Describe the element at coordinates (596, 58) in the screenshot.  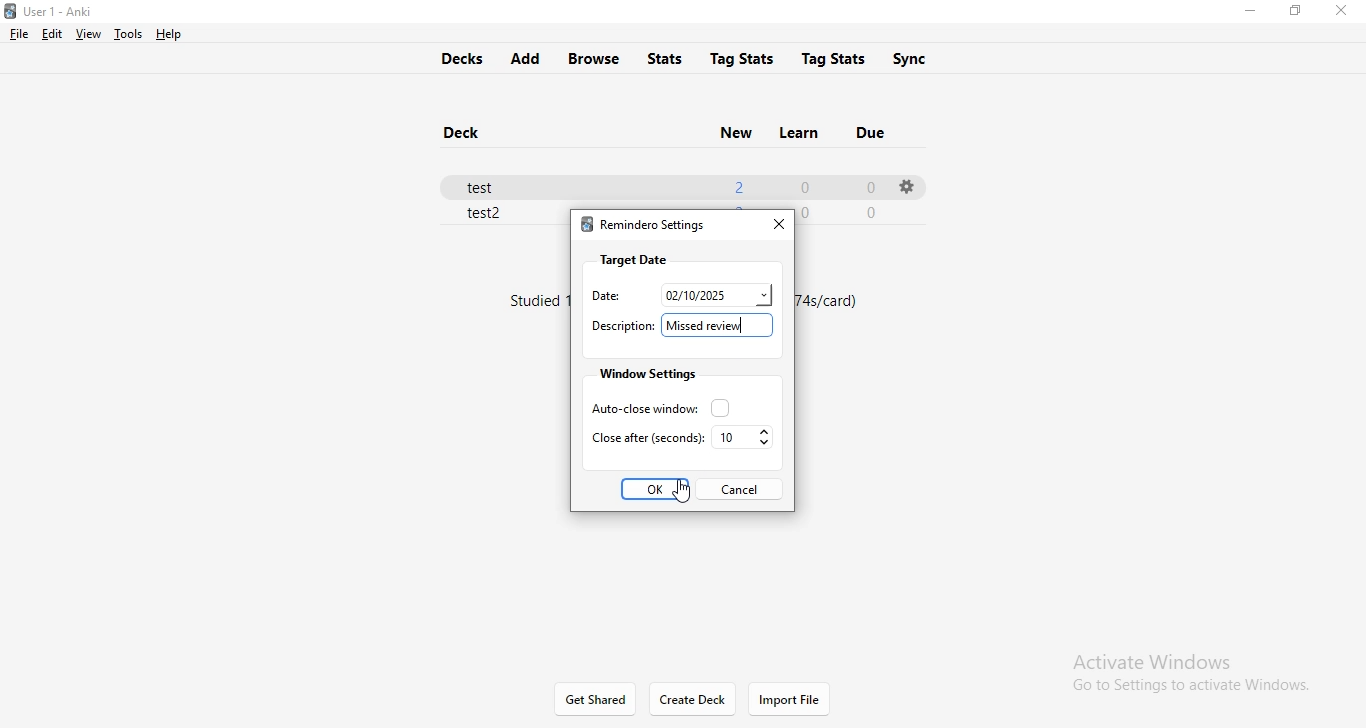
I see `browse` at that location.